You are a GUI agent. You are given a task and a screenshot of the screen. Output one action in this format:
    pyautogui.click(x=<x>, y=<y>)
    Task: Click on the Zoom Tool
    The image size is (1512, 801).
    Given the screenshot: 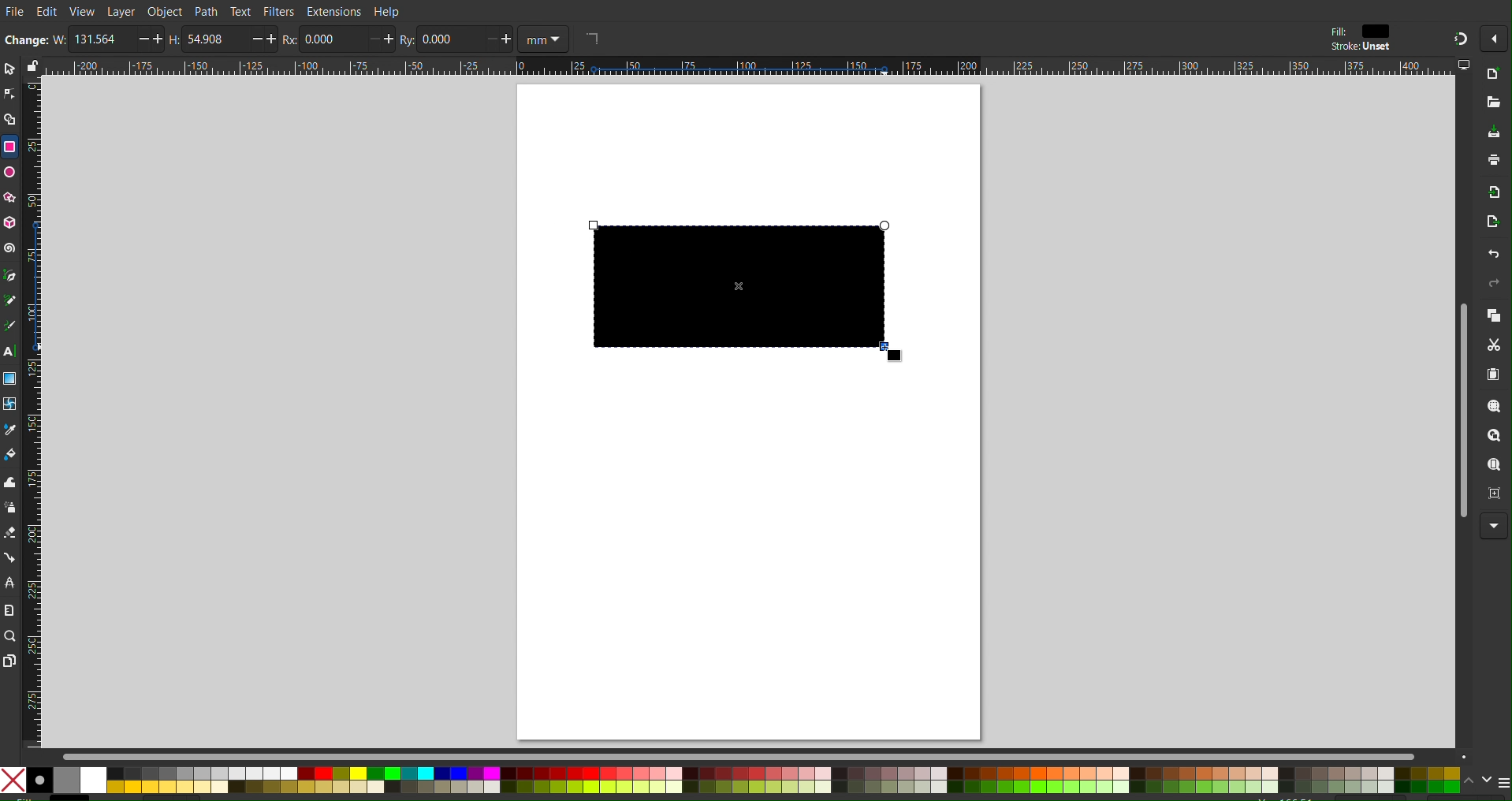 What is the action you would take?
    pyautogui.click(x=9, y=635)
    